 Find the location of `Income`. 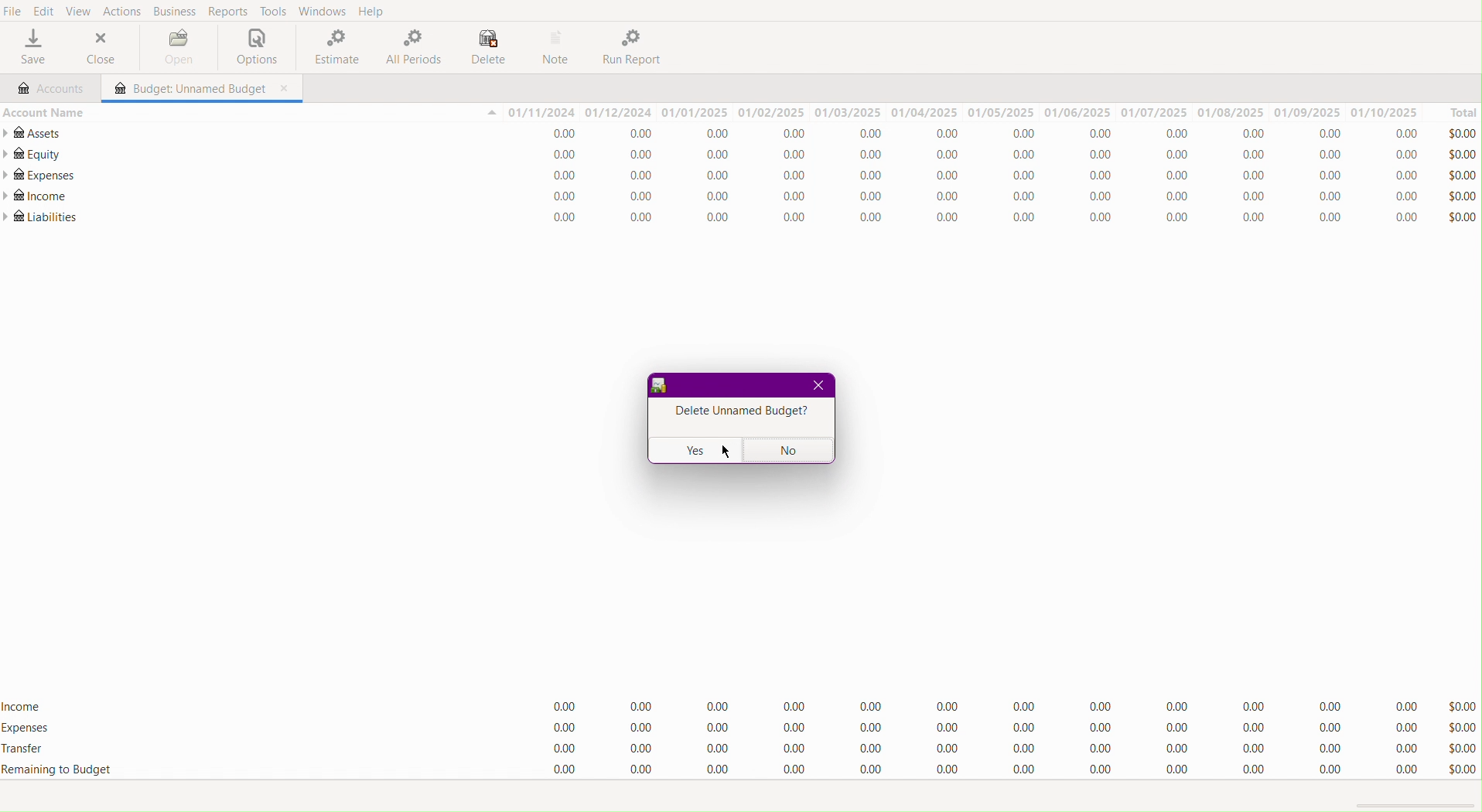

Income is located at coordinates (984, 198).